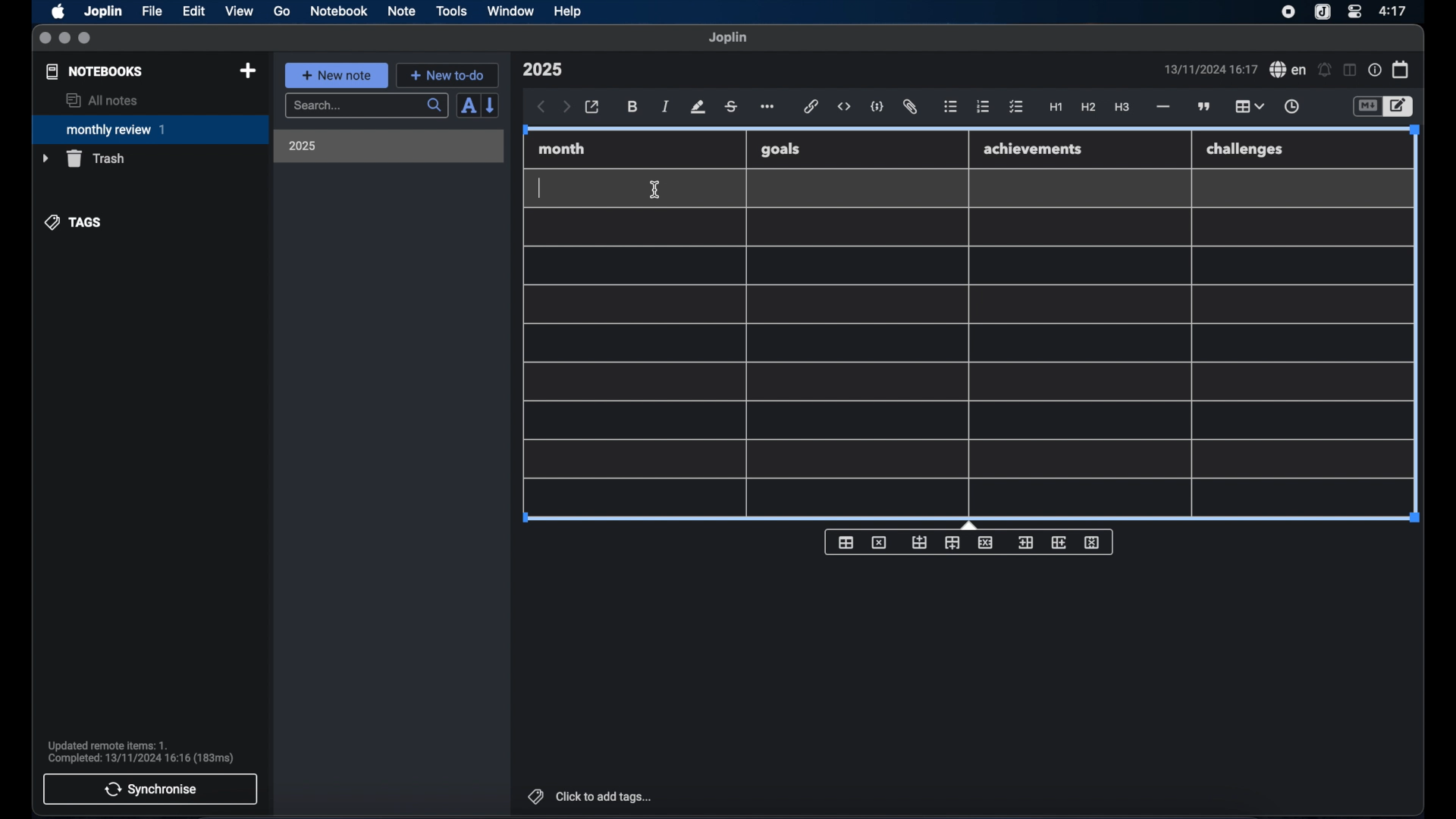  I want to click on more options, so click(769, 108).